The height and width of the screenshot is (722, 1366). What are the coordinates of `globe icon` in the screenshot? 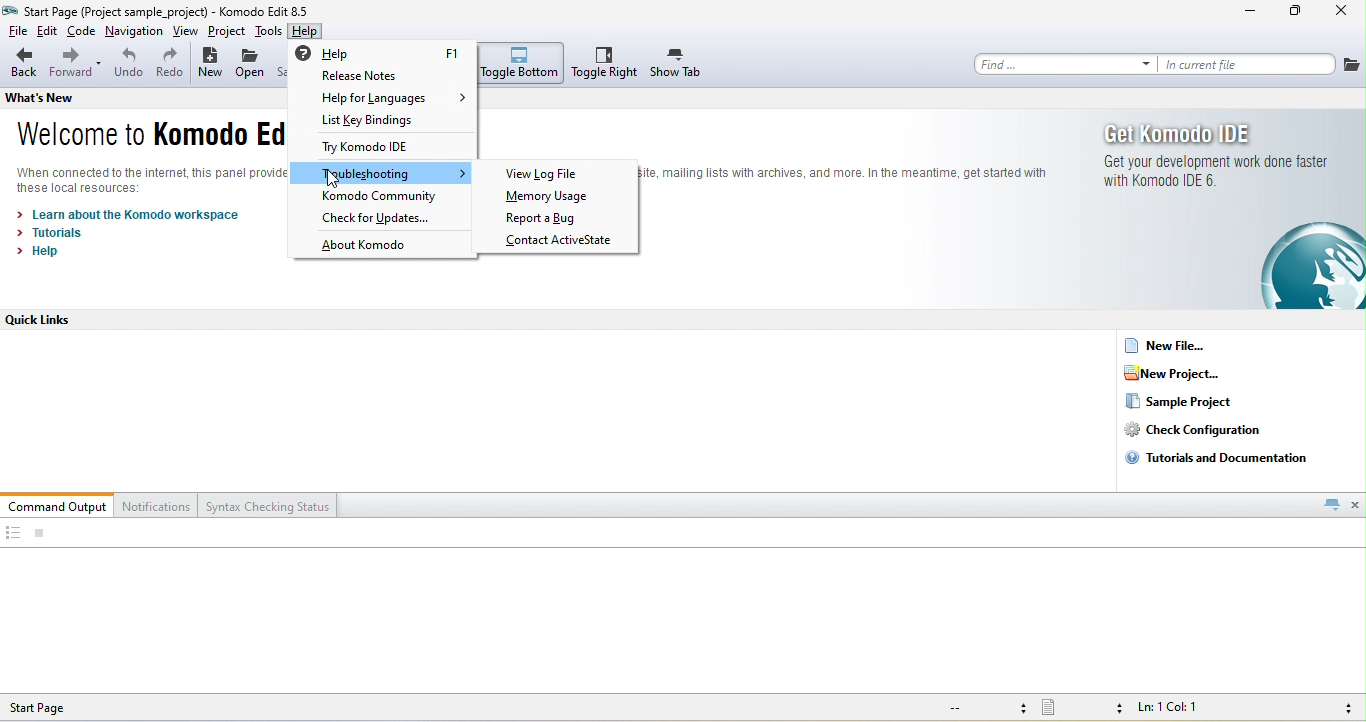 It's located at (1298, 266).